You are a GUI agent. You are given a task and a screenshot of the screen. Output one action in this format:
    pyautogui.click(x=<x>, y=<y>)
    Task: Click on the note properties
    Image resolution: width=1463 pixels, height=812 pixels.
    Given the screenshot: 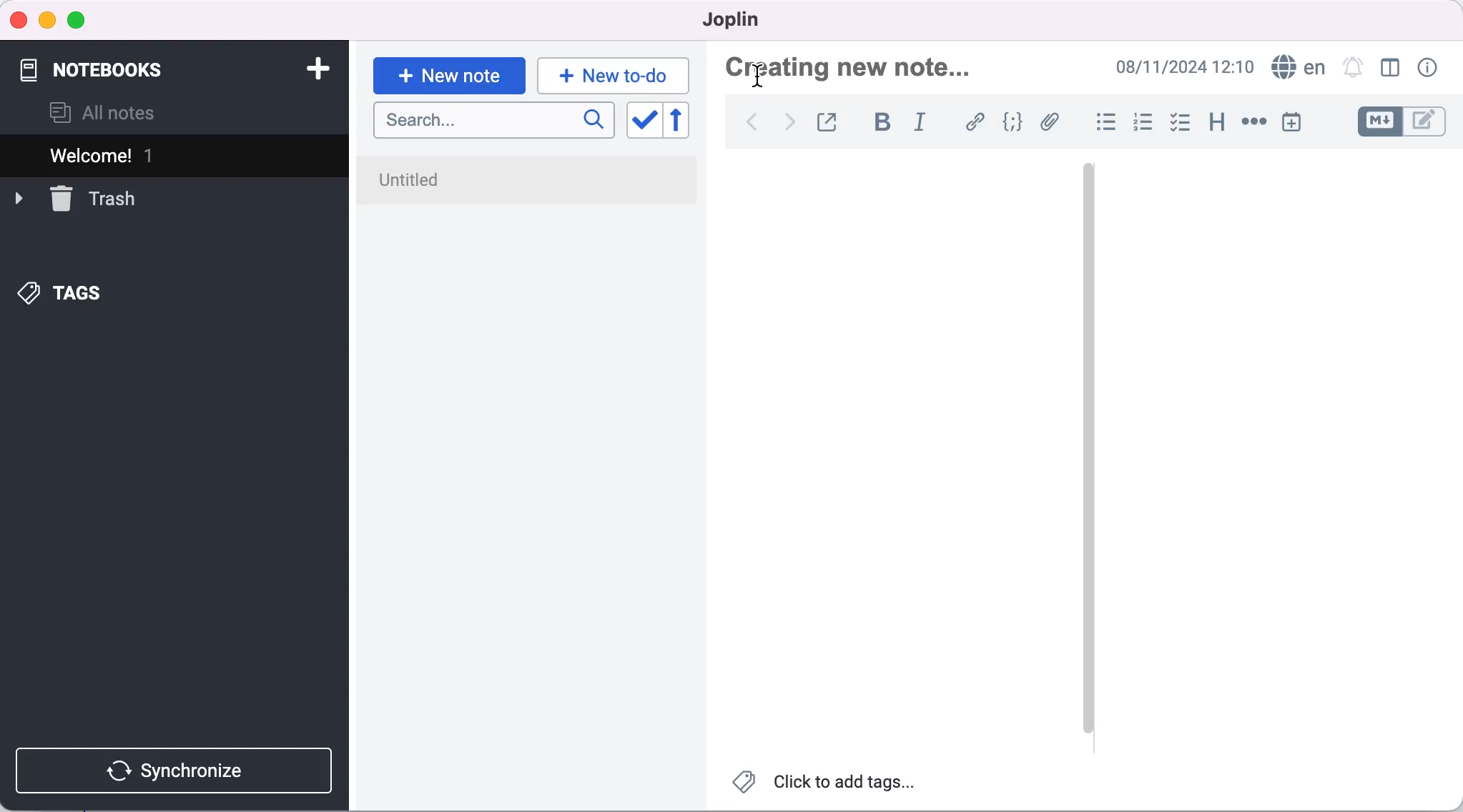 What is the action you would take?
    pyautogui.click(x=1432, y=69)
    